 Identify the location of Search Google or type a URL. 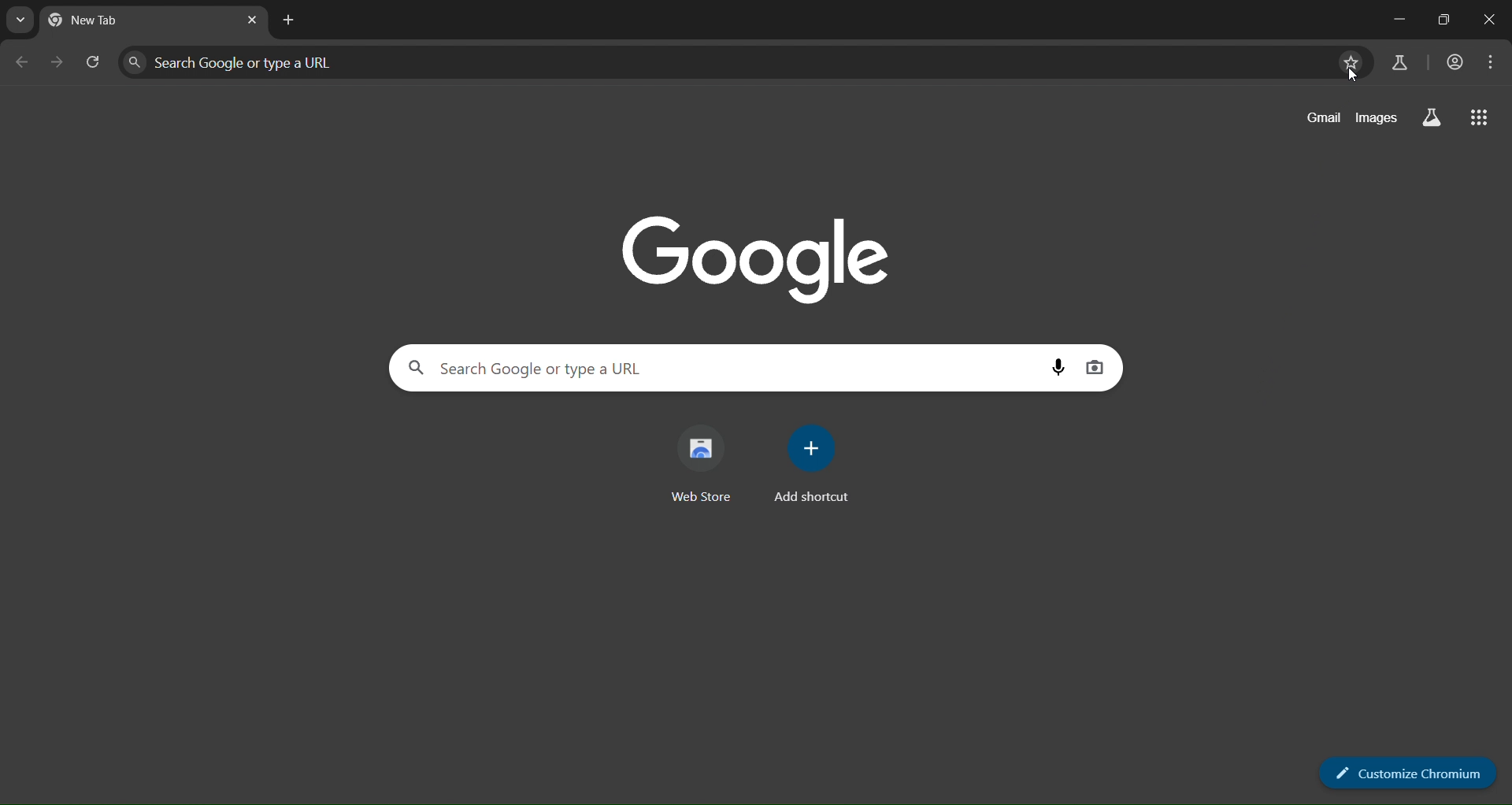
(717, 62).